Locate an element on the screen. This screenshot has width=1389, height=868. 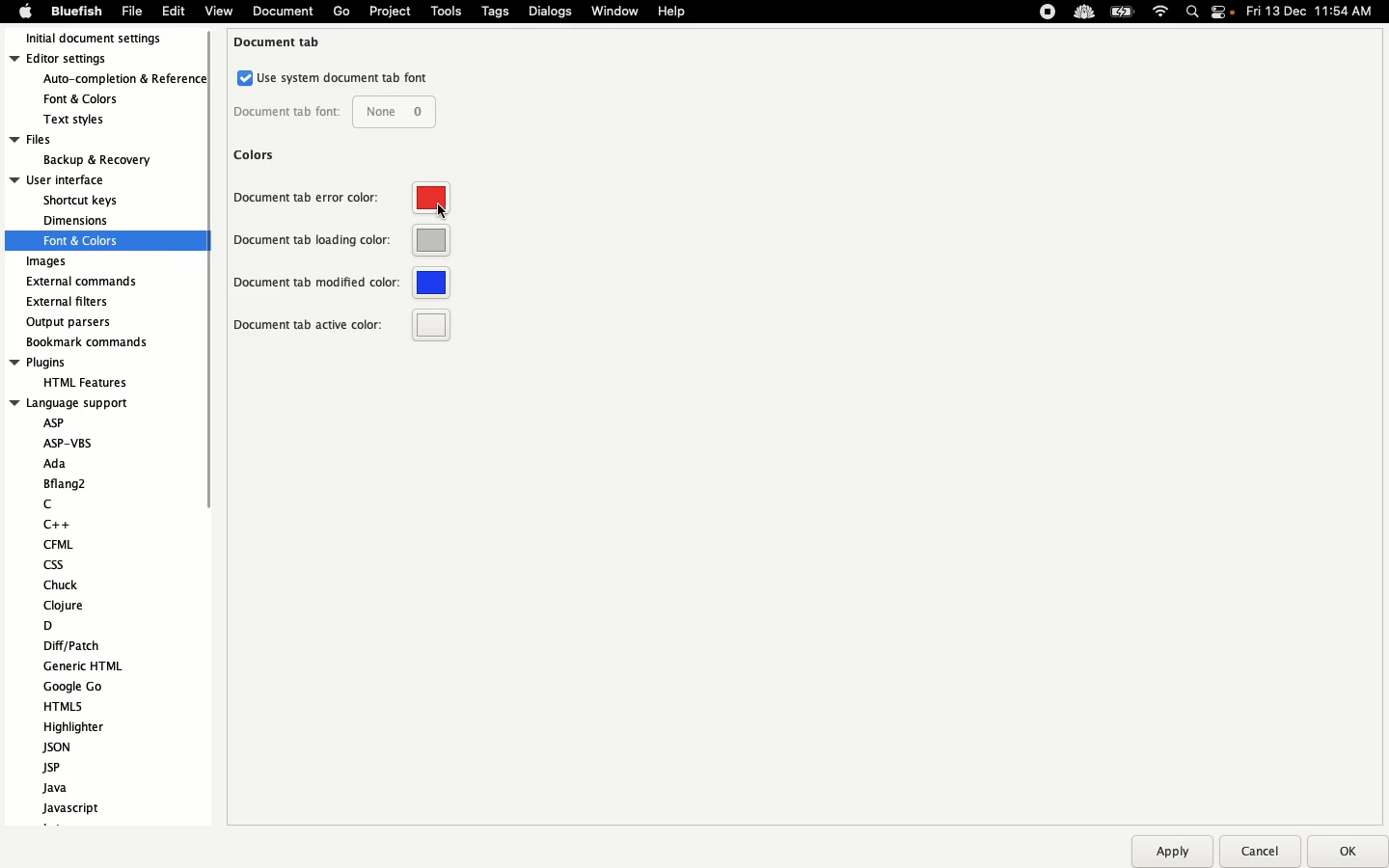
Apple logo is located at coordinates (25, 11).